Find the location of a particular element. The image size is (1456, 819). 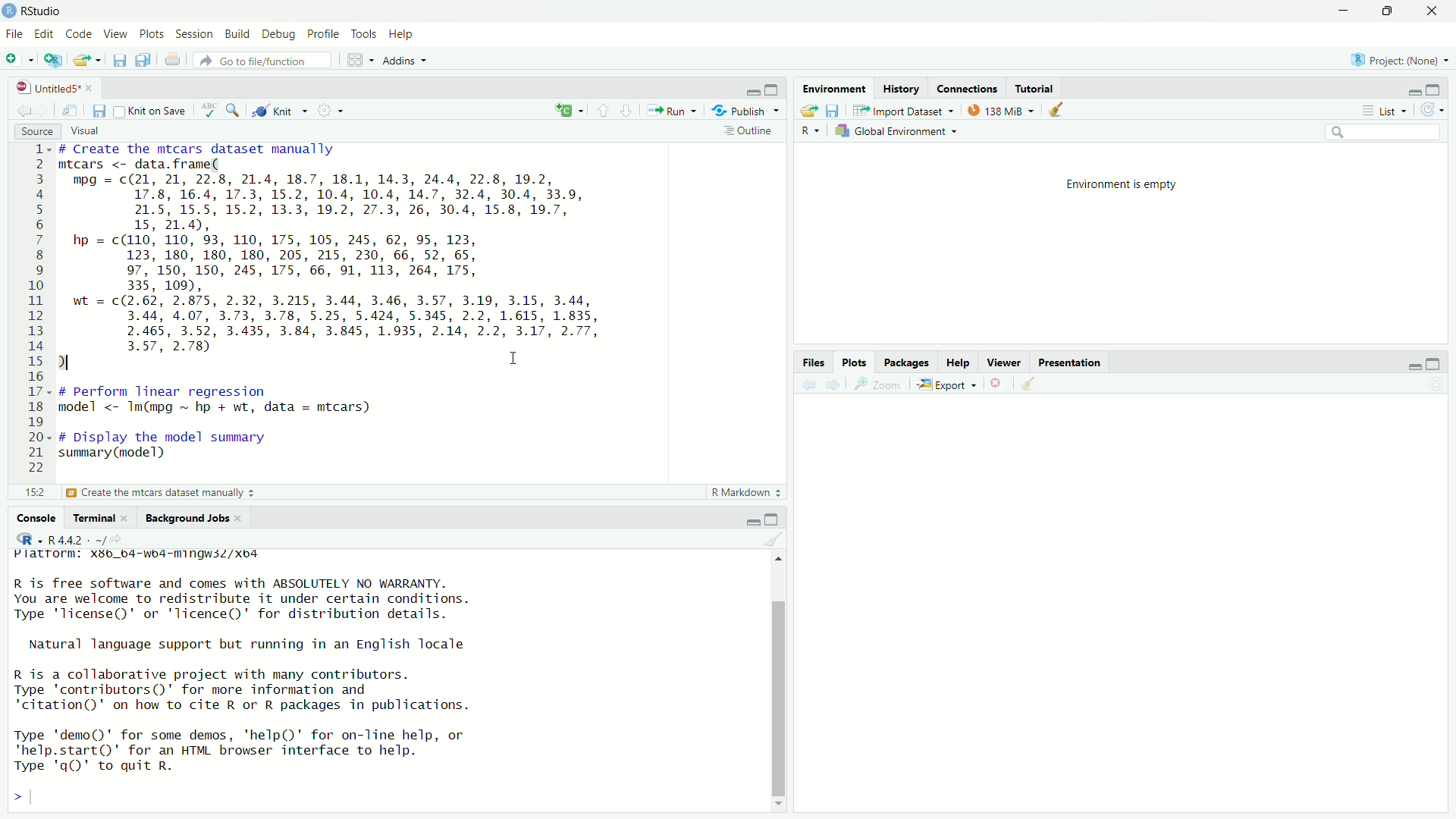

go to file /function is located at coordinates (262, 61).